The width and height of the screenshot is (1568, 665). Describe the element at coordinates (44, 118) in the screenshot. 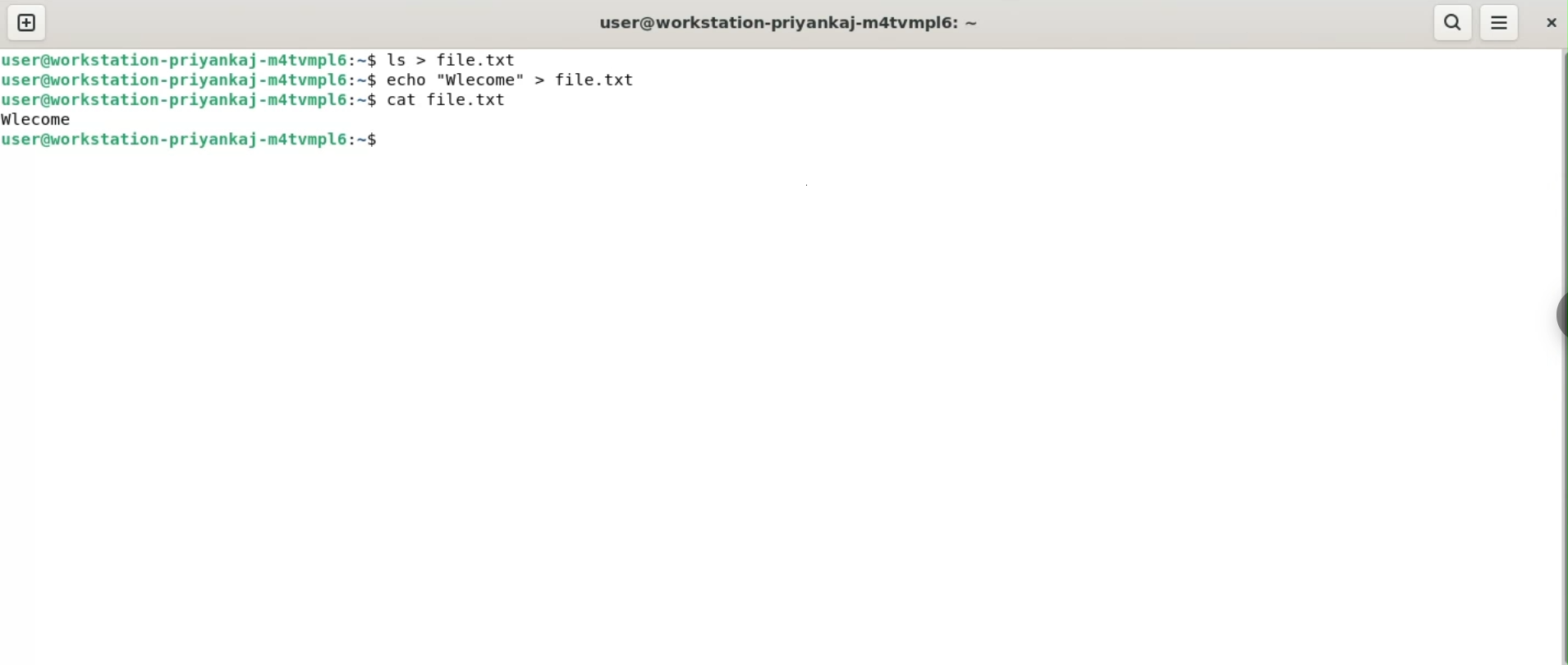

I see `wlecome` at that location.